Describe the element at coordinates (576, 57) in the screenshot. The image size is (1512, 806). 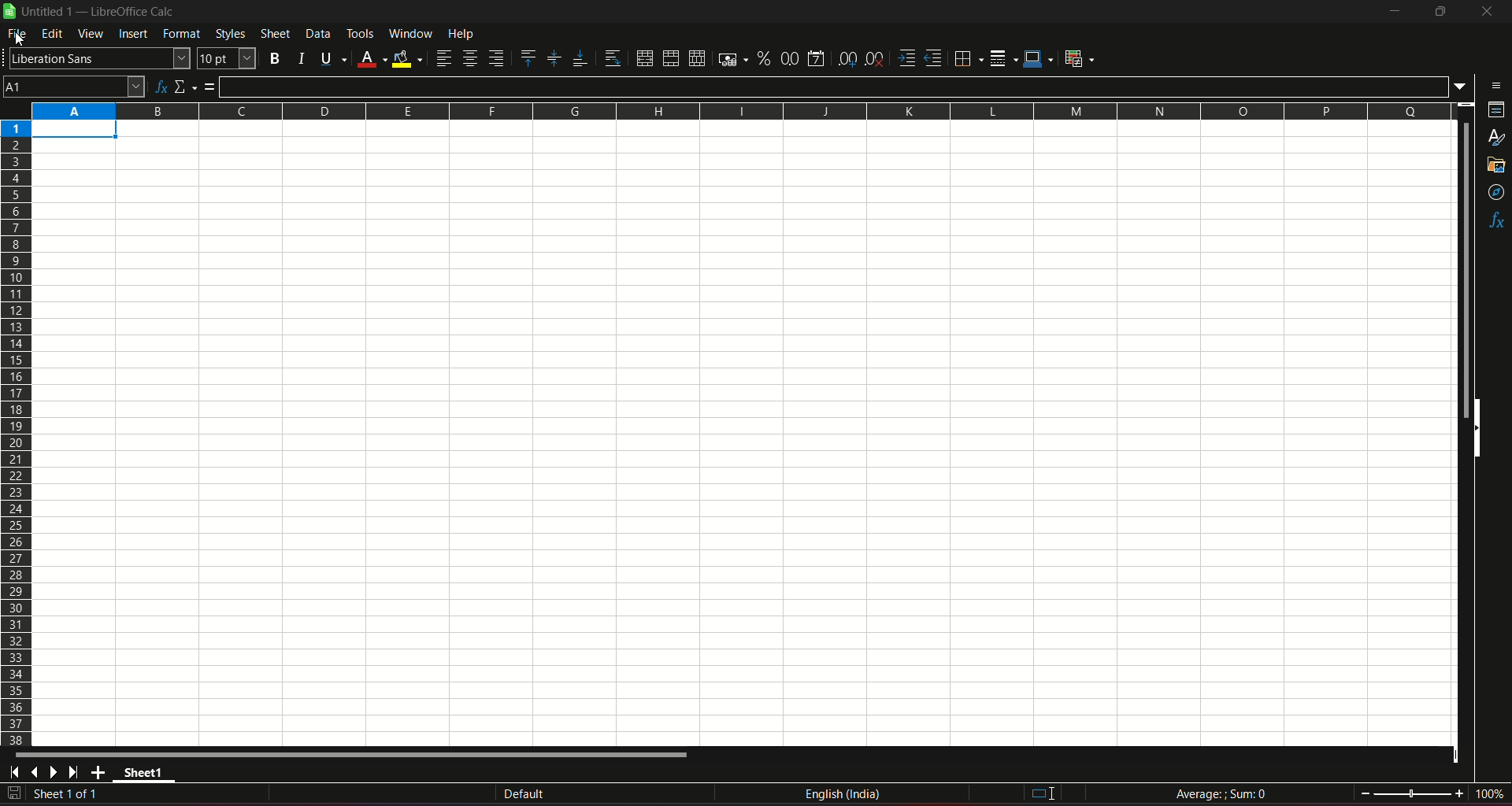
I see `align bottom` at that location.